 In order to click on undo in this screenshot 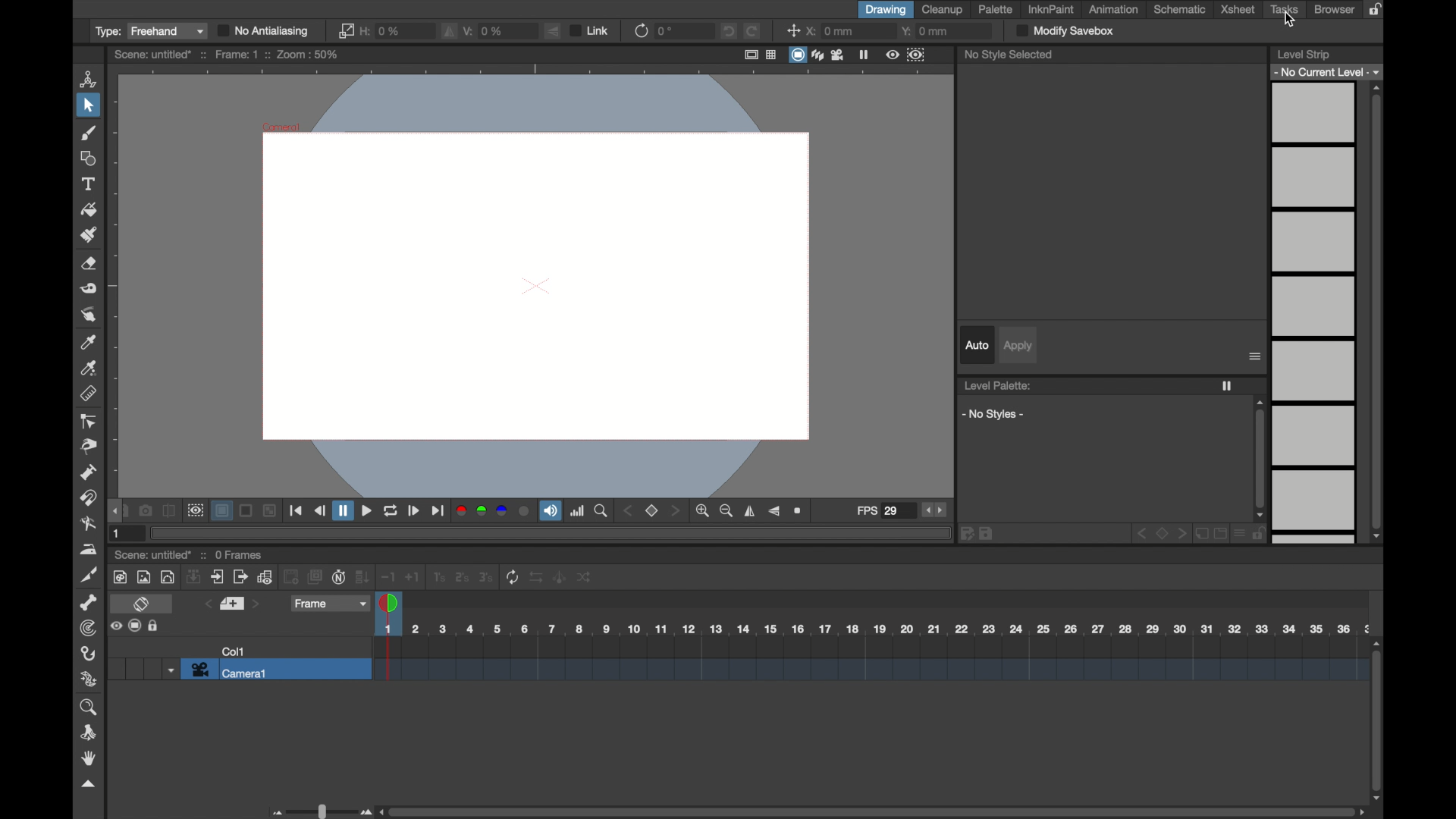, I will do `click(730, 30)`.